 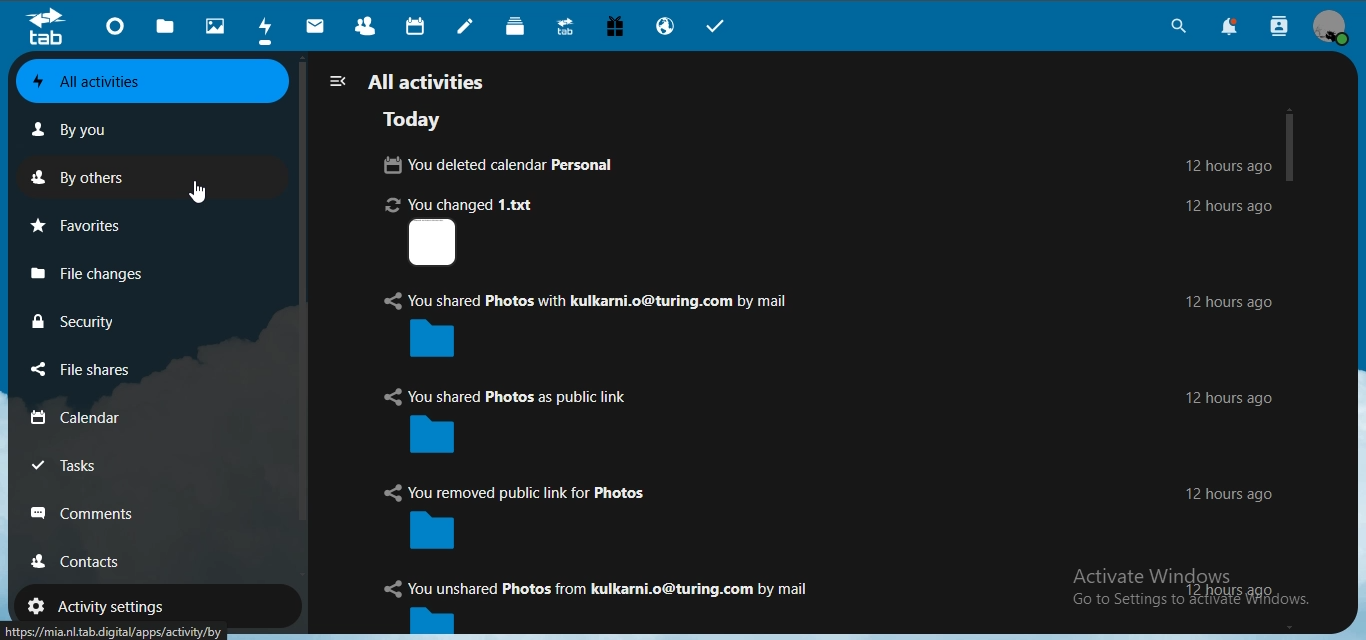 What do you see at coordinates (815, 164) in the screenshot?
I see ` You deleted calendar Personal 12 hours ago` at bounding box center [815, 164].